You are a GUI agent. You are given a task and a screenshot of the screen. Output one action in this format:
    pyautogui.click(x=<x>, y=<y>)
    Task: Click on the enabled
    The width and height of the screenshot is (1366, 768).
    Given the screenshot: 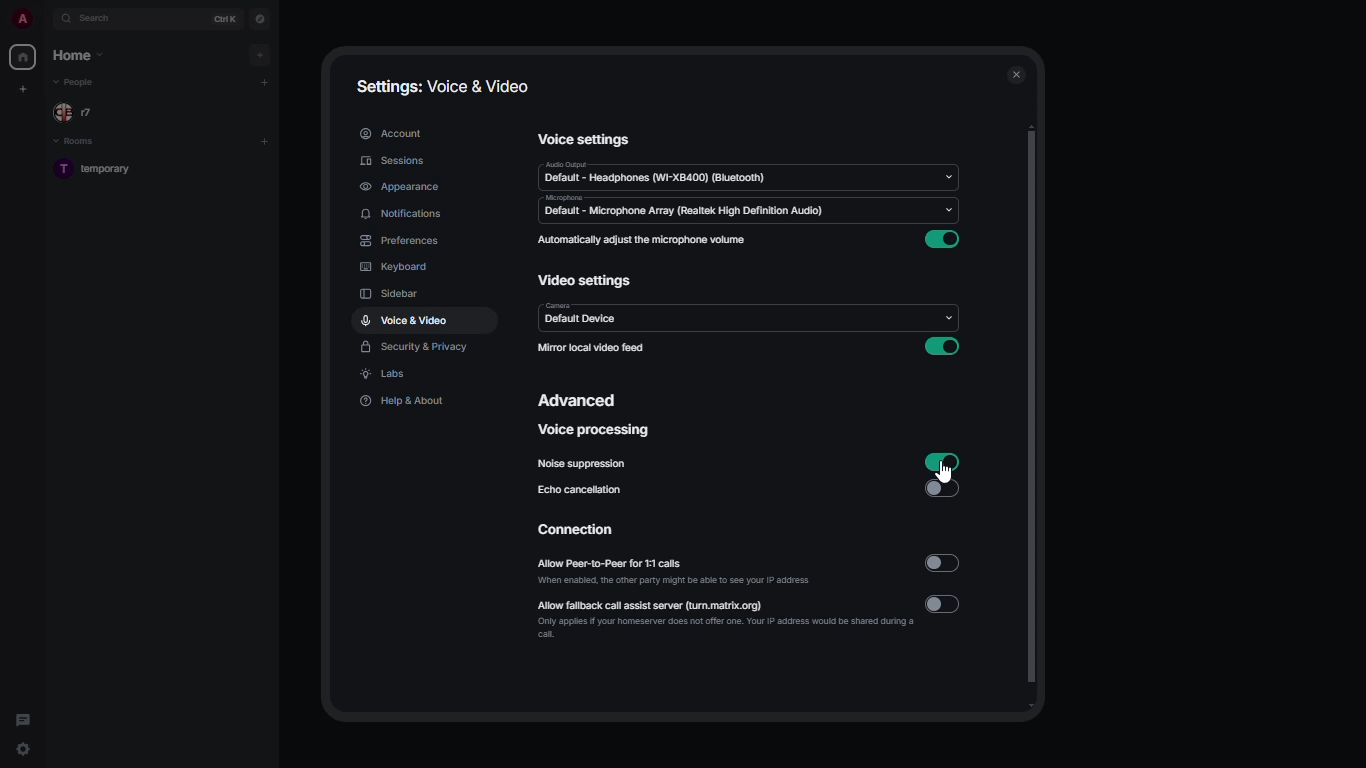 What is the action you would take?
    pyautogui.click(x=943, y=241)
    